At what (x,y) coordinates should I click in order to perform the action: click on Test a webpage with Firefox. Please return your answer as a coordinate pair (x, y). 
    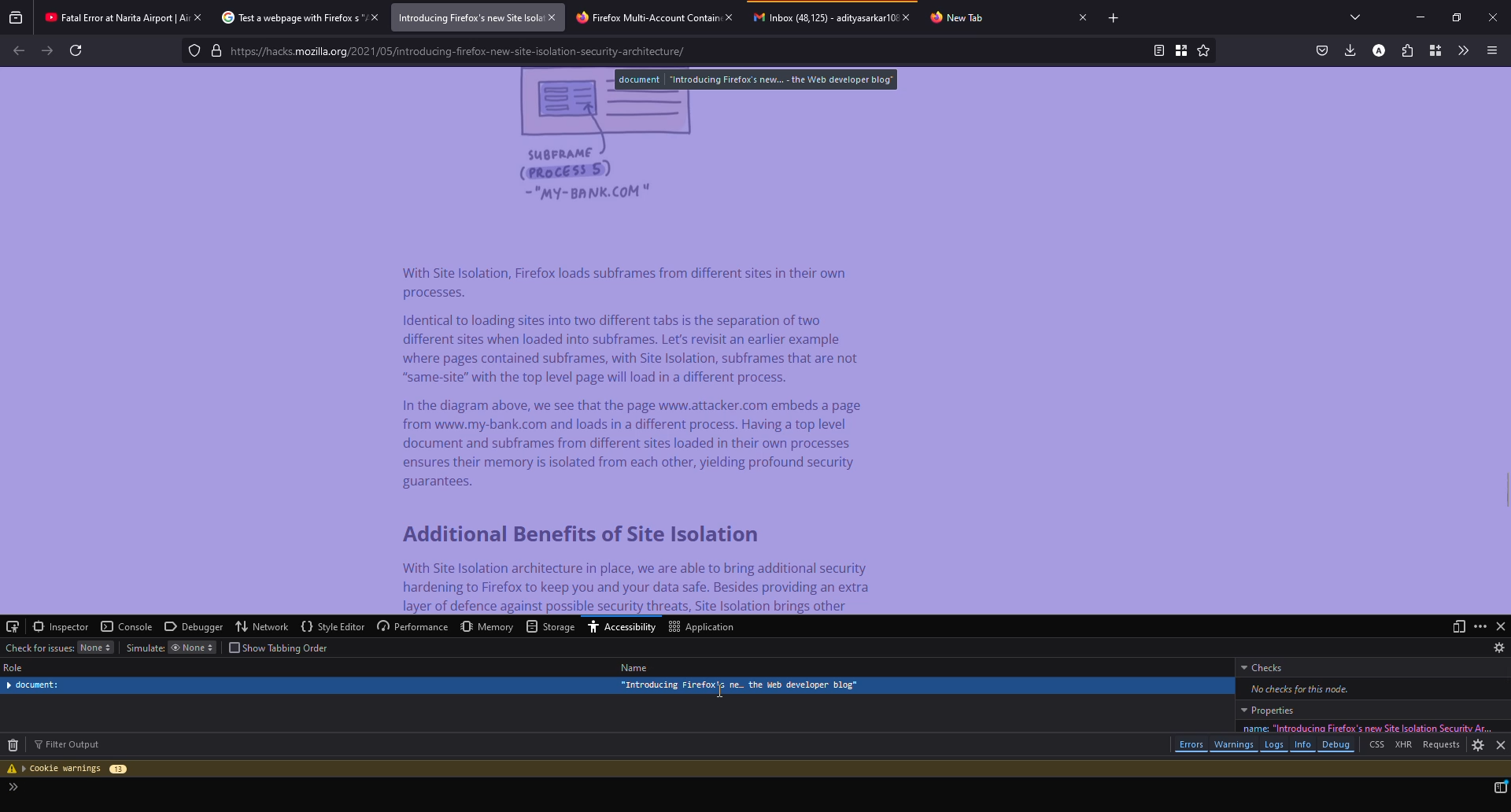
    Looking at the image, I should click on (287, 17).